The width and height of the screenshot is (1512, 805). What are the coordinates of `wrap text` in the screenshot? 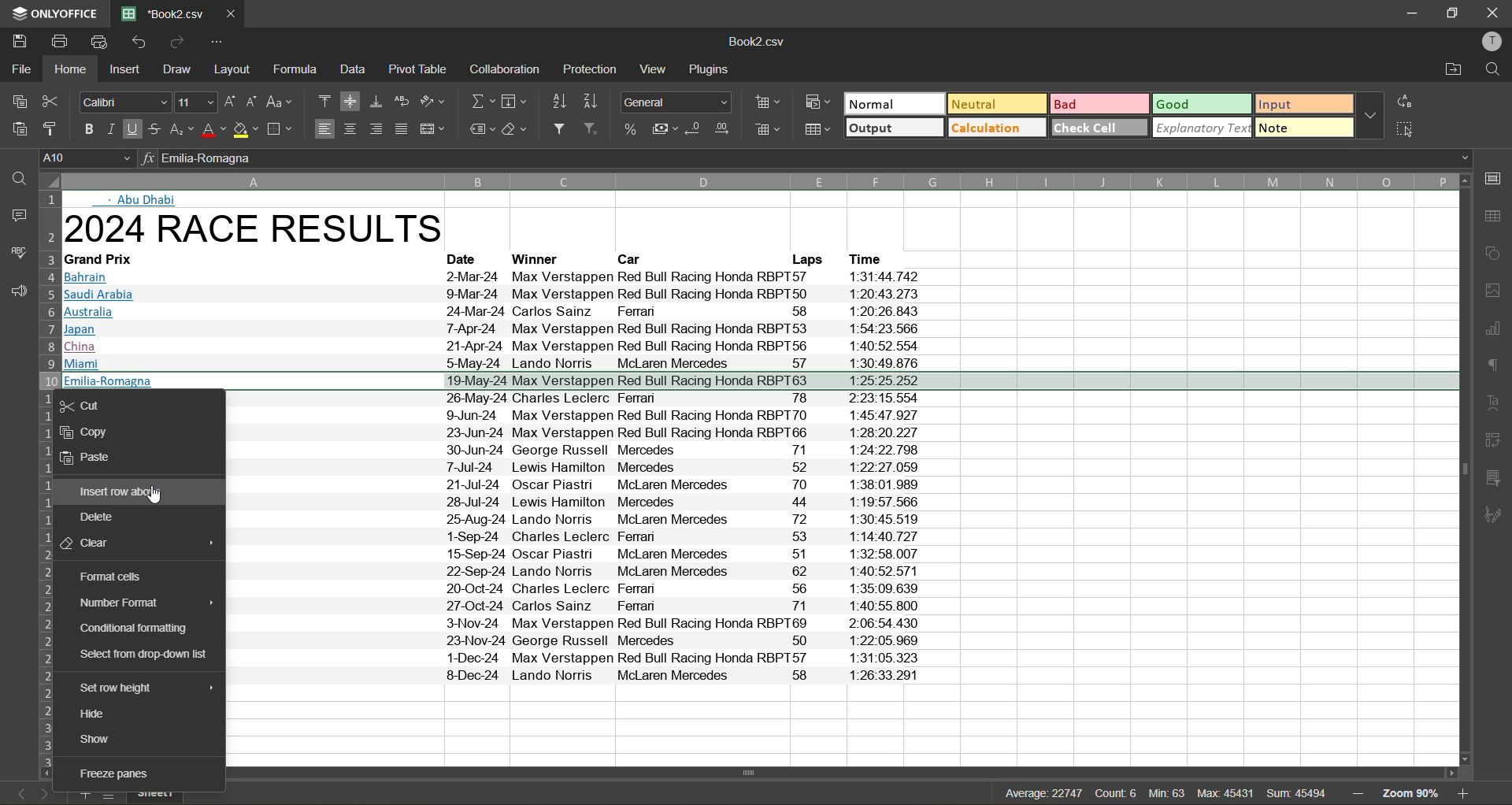 It's located at (402, 101).